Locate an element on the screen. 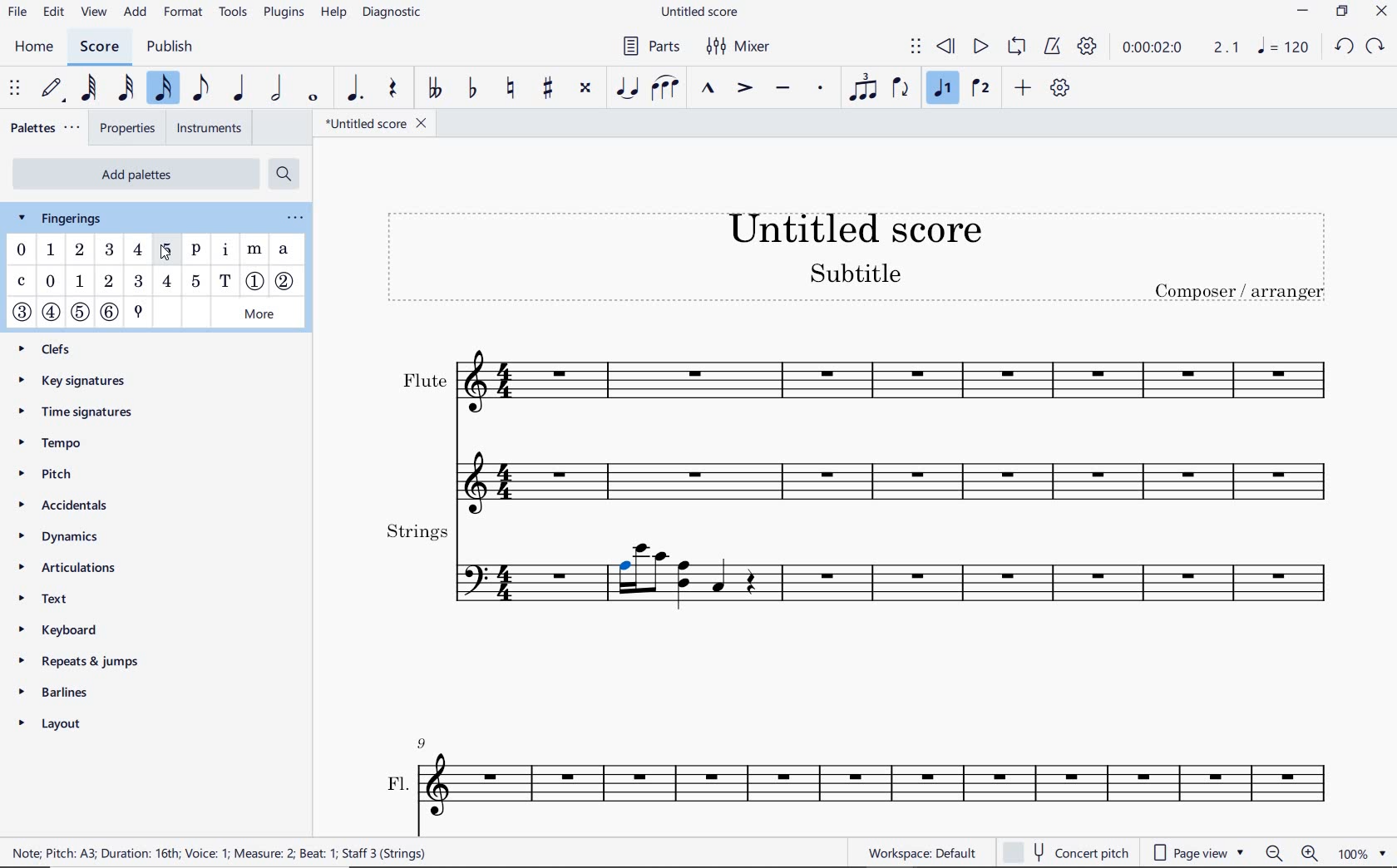 The width and height of the screenshot is (1397, 868). STRING NUMBER 6 is located at coordinates (111, 312).